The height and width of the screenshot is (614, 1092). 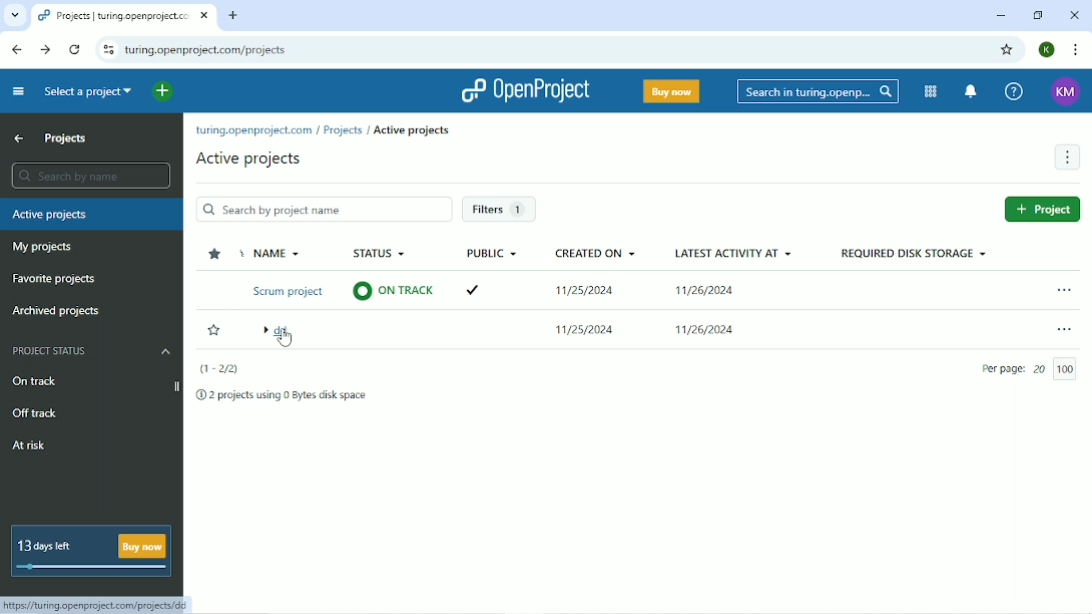 What do you see at coordinates (1064, 330) in the screenshot?
I see `Open menu` at bounding box center [1064, 330].